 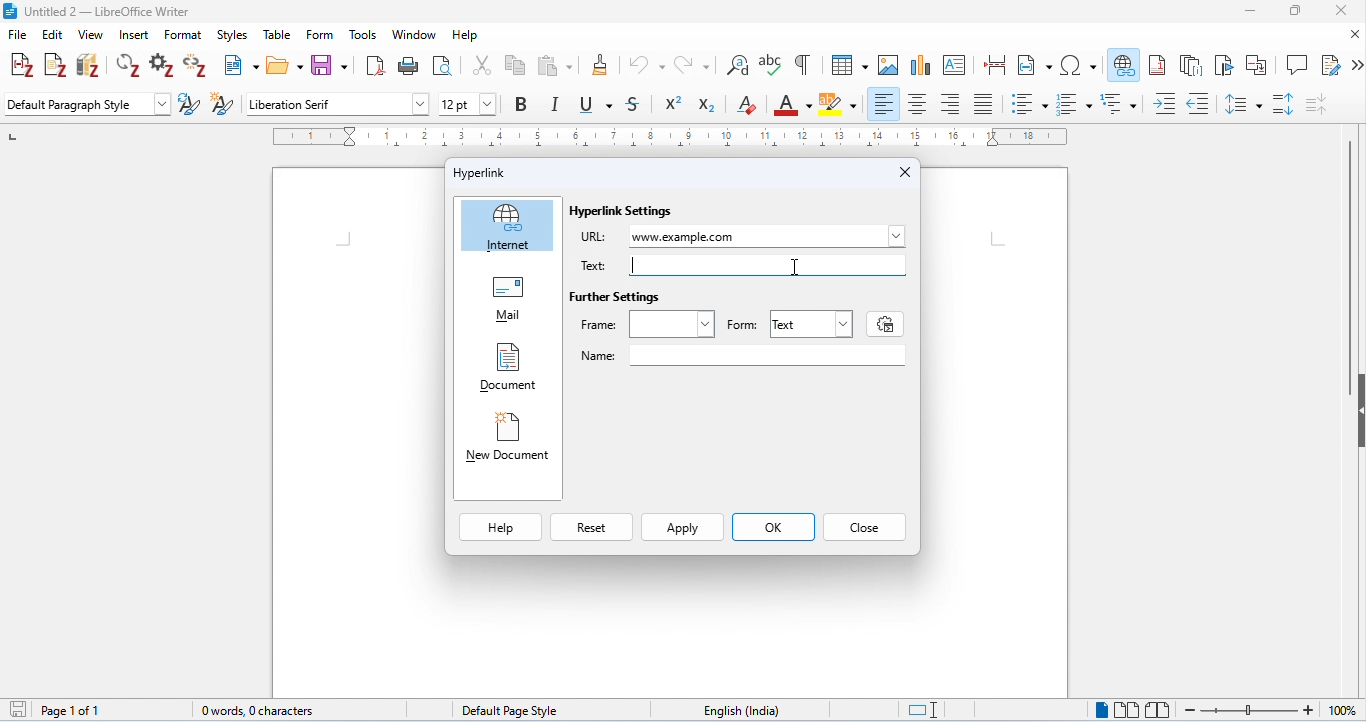 What do you see at coordinates (86, 103) in the screenshot?
I see `default paragraph style` at bounding box center [86, 103].